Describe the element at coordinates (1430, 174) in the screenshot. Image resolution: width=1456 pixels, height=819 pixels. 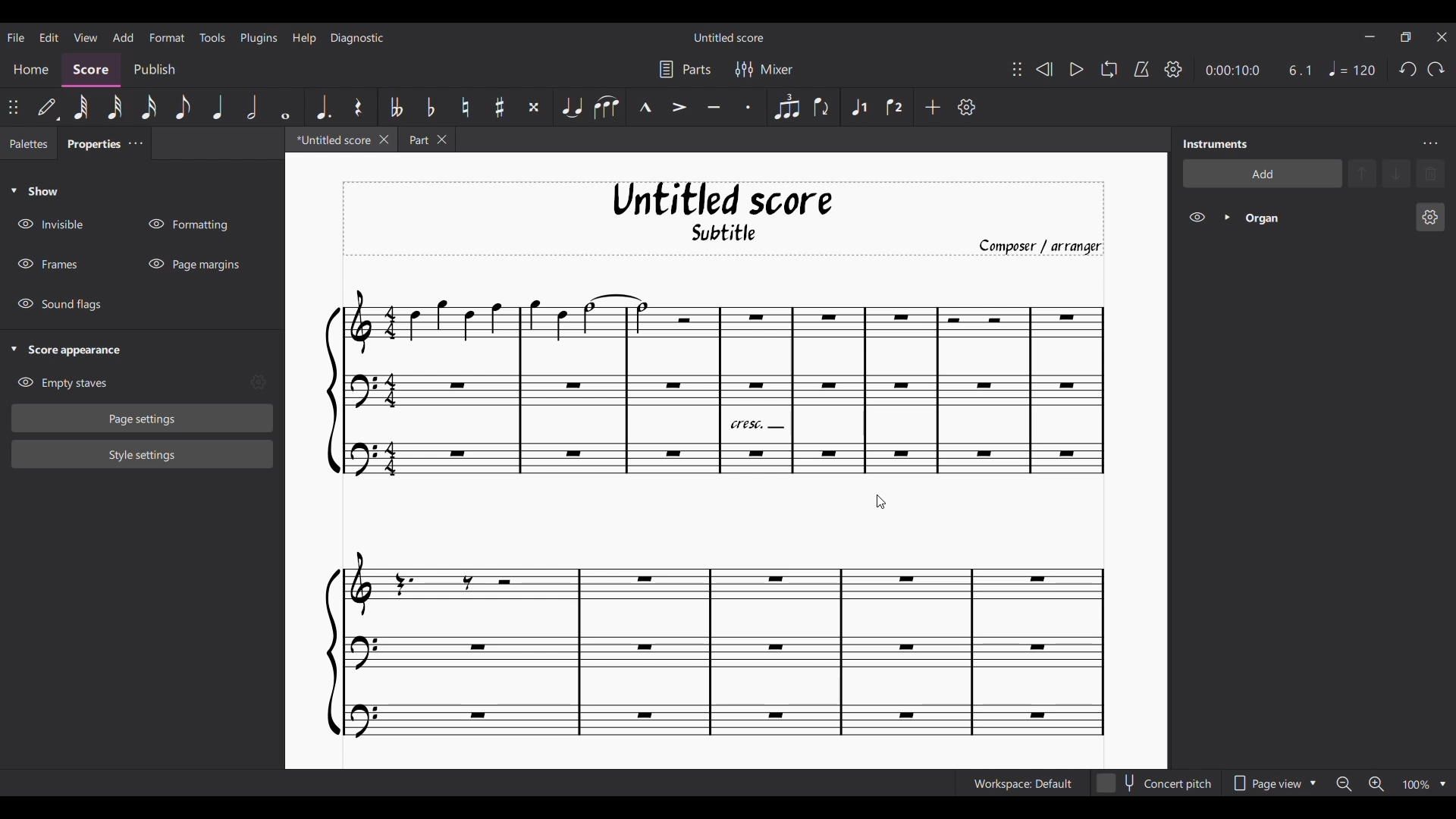
I see `Delete selection` at that location.